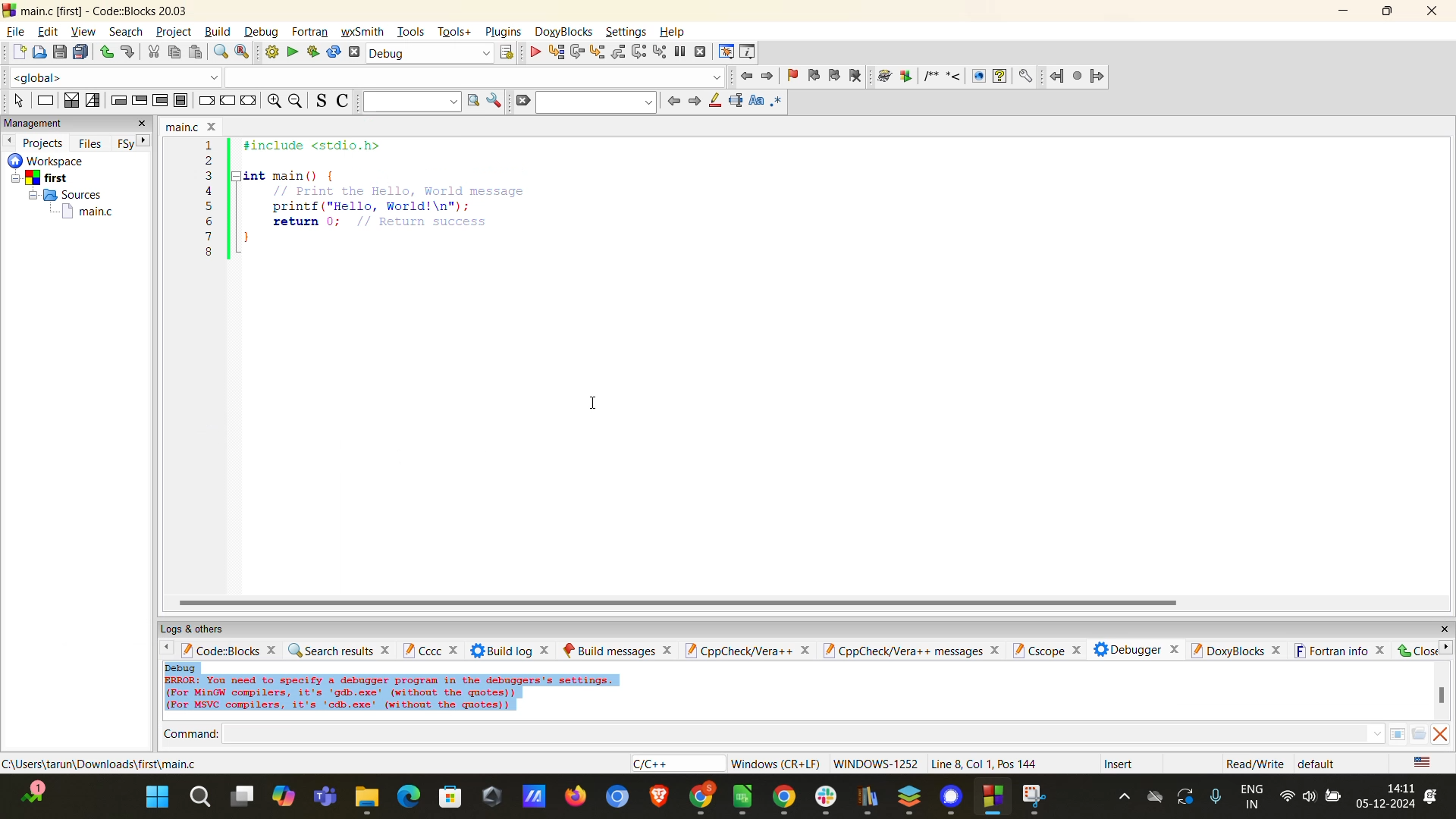 This screenshot has width=1456, height=819. Describe the element at coordinates (248, 104) in the screenshot. I see `return instruction` at that location.